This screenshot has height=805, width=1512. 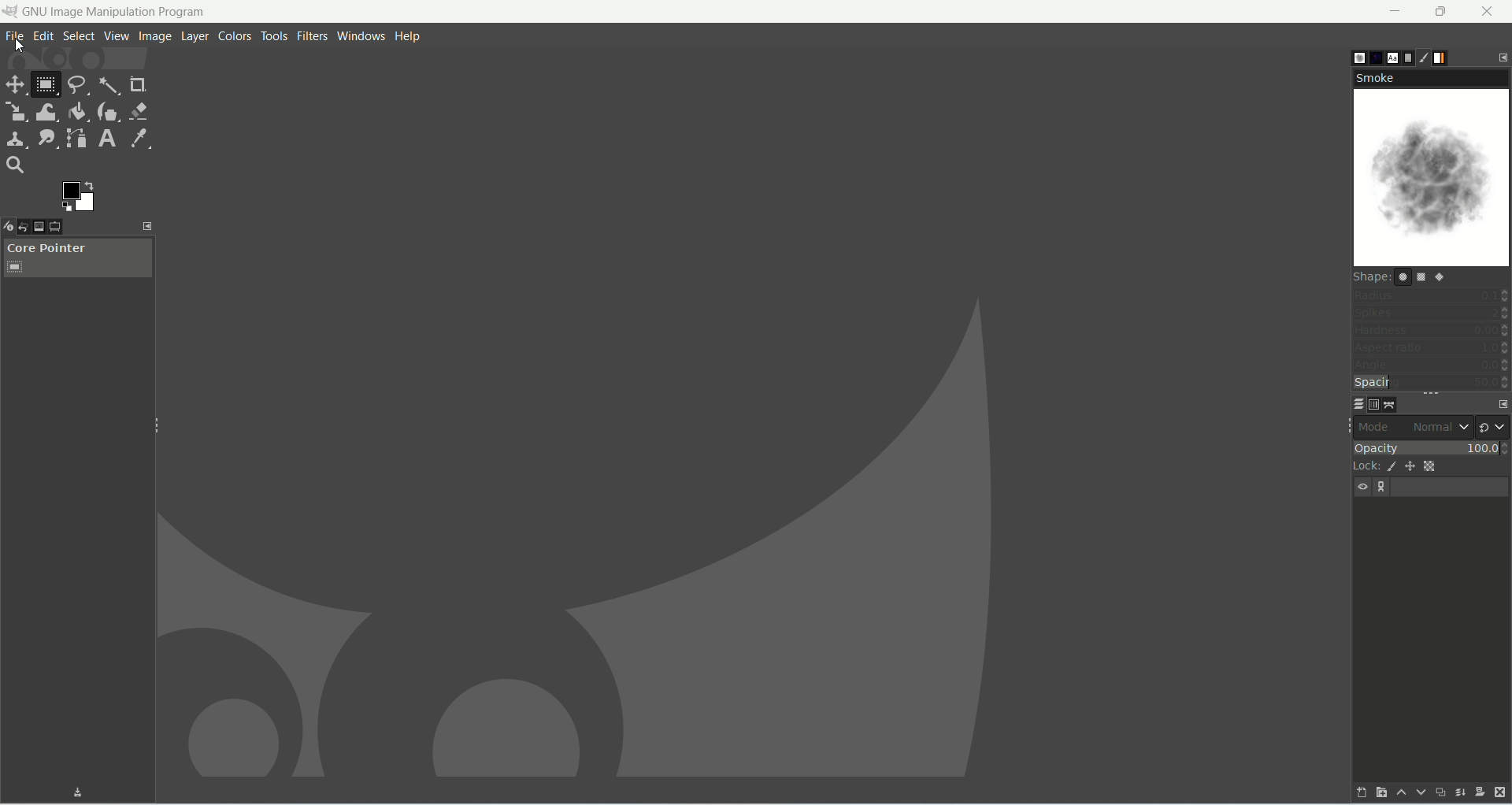 What do you see at coordinates (47, 83) in the screenshot?
I see `rectangle select` at bounding box center [47, 83].